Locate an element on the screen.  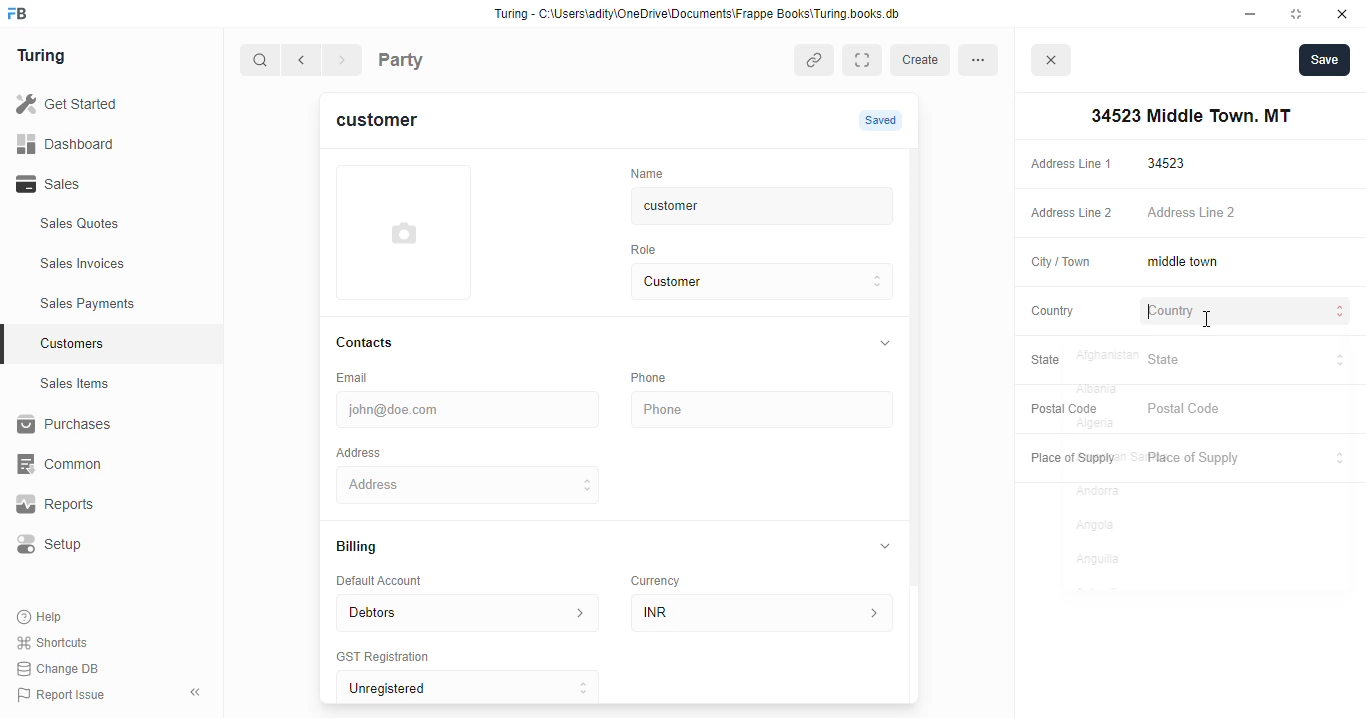
frappebooks logo is located at coordinates (23, 15).